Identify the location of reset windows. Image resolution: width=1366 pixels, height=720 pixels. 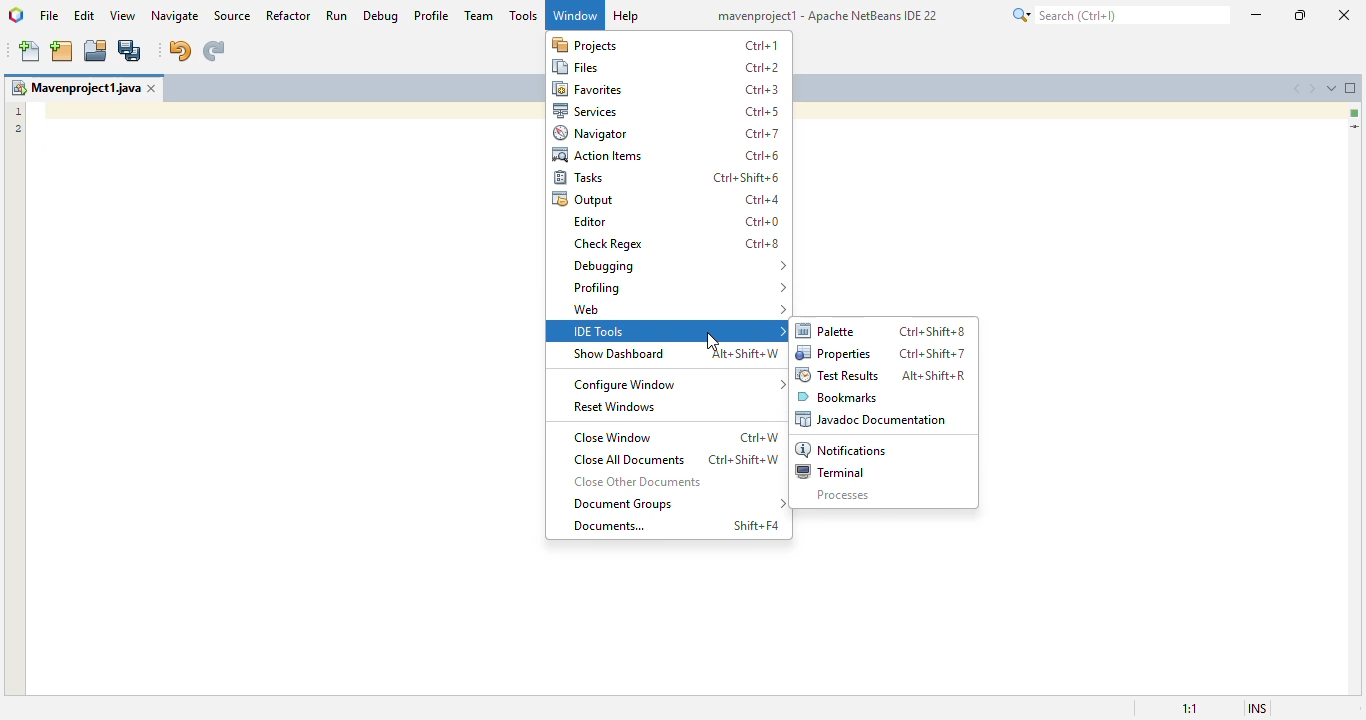
(616, 406).